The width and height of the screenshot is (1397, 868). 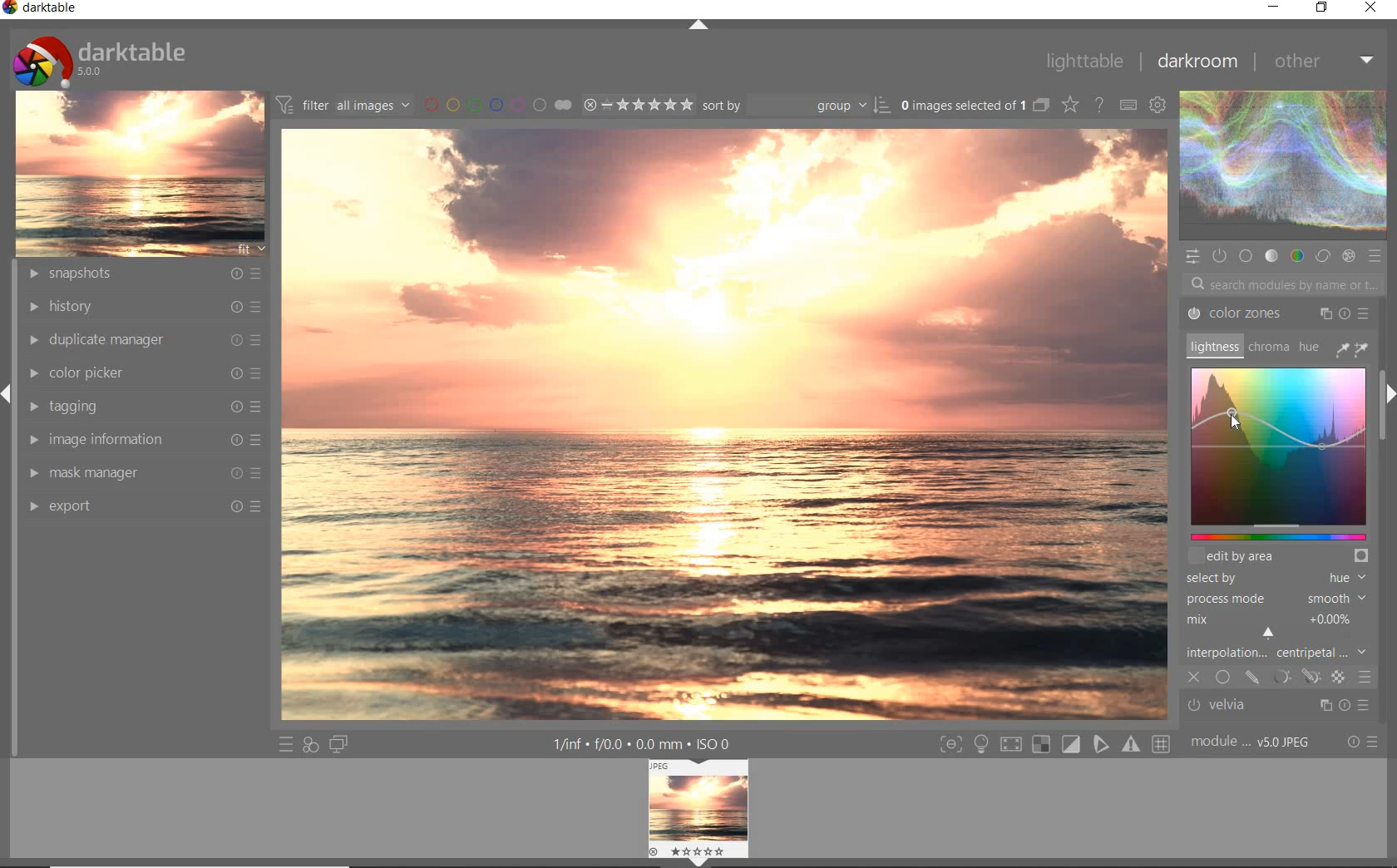 I want to click on SHOW ONLY ACTIVE MODULES, so click(x=1219, y=255).